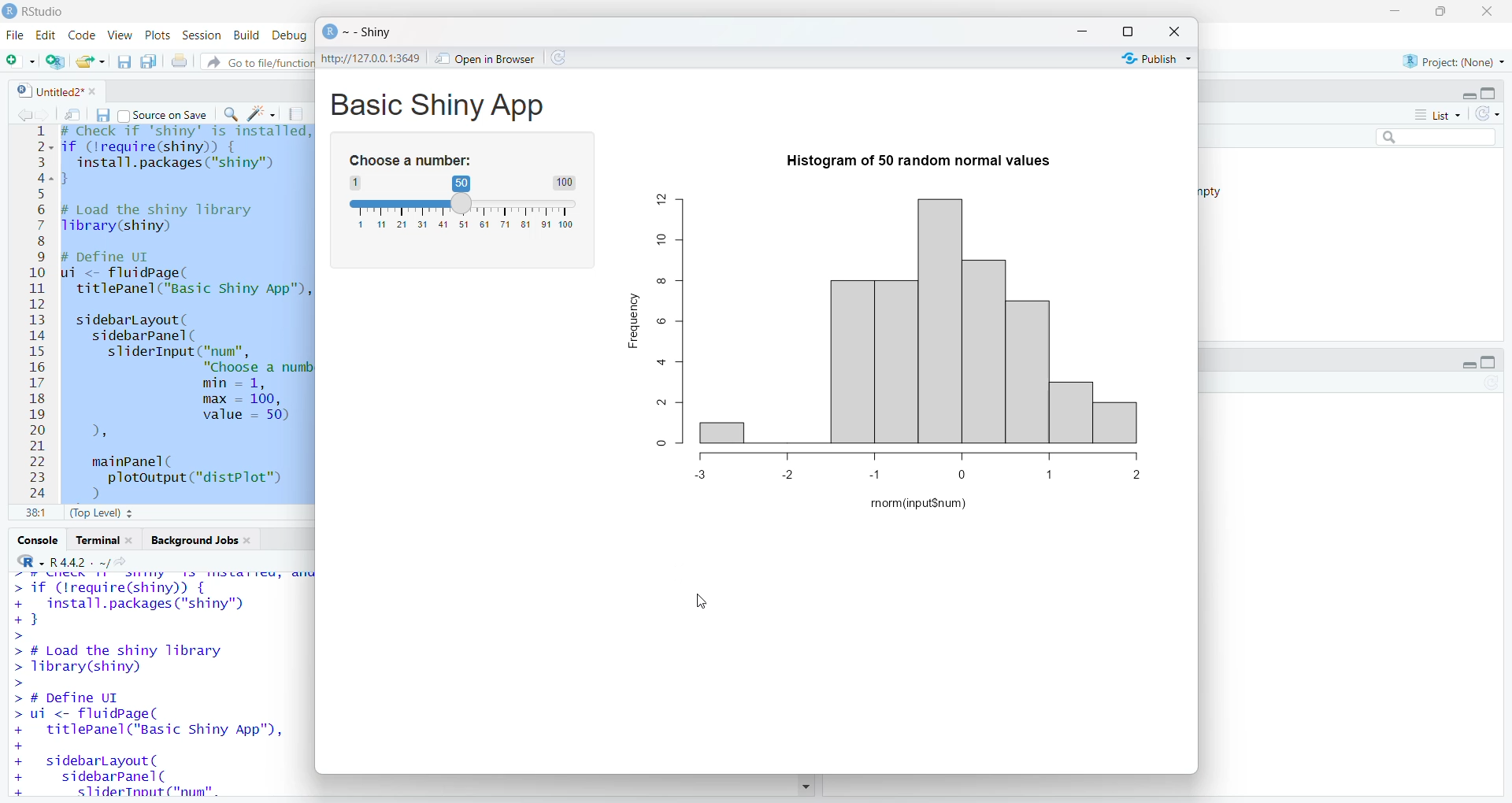 Image resolution: width=1512 pixels, height=803 pixels. Describe the element at coordinates (43, 115) in the screenshot. I see `forward` at that location.